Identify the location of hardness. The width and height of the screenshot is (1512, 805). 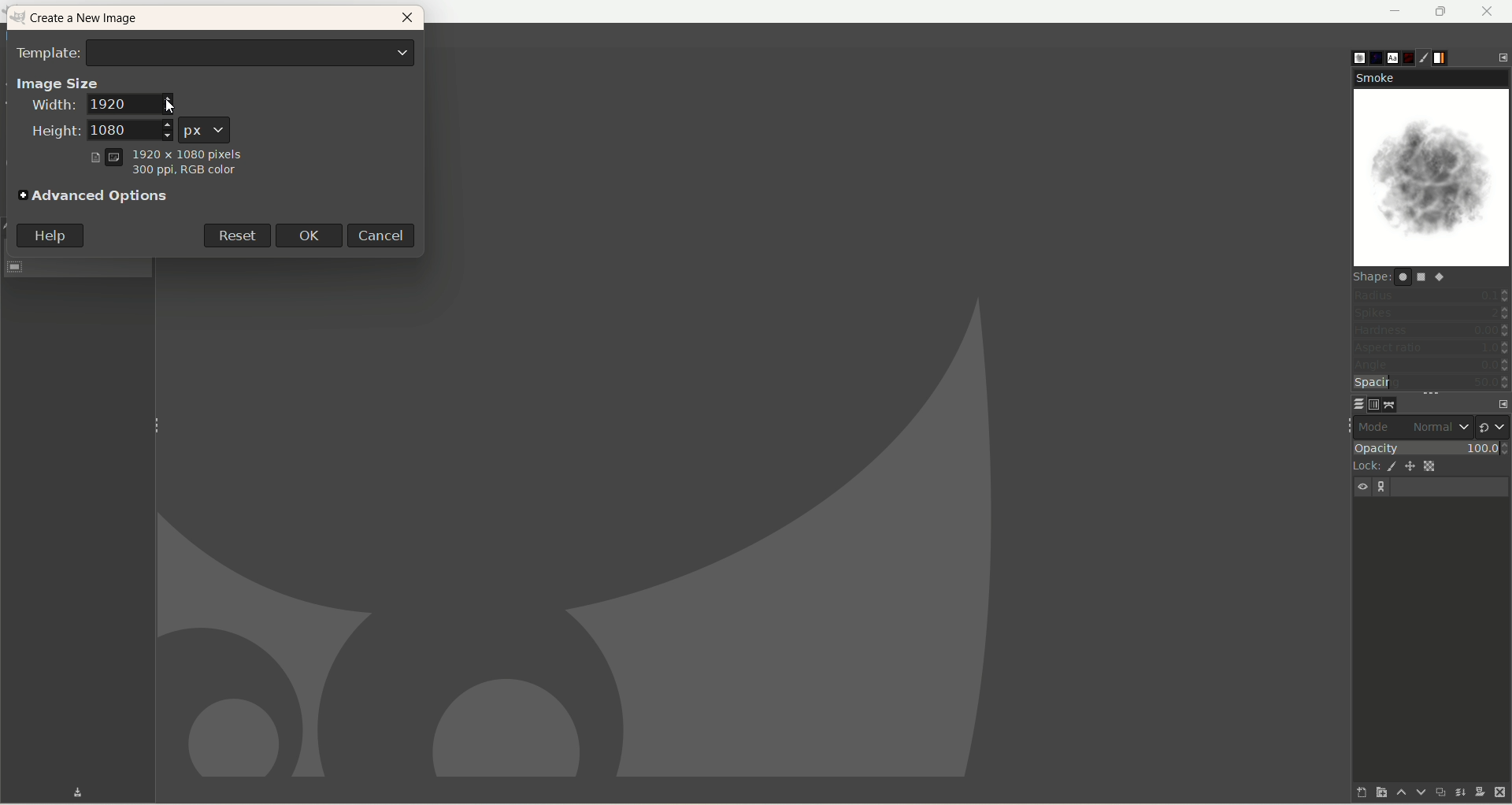
(1431, 332).